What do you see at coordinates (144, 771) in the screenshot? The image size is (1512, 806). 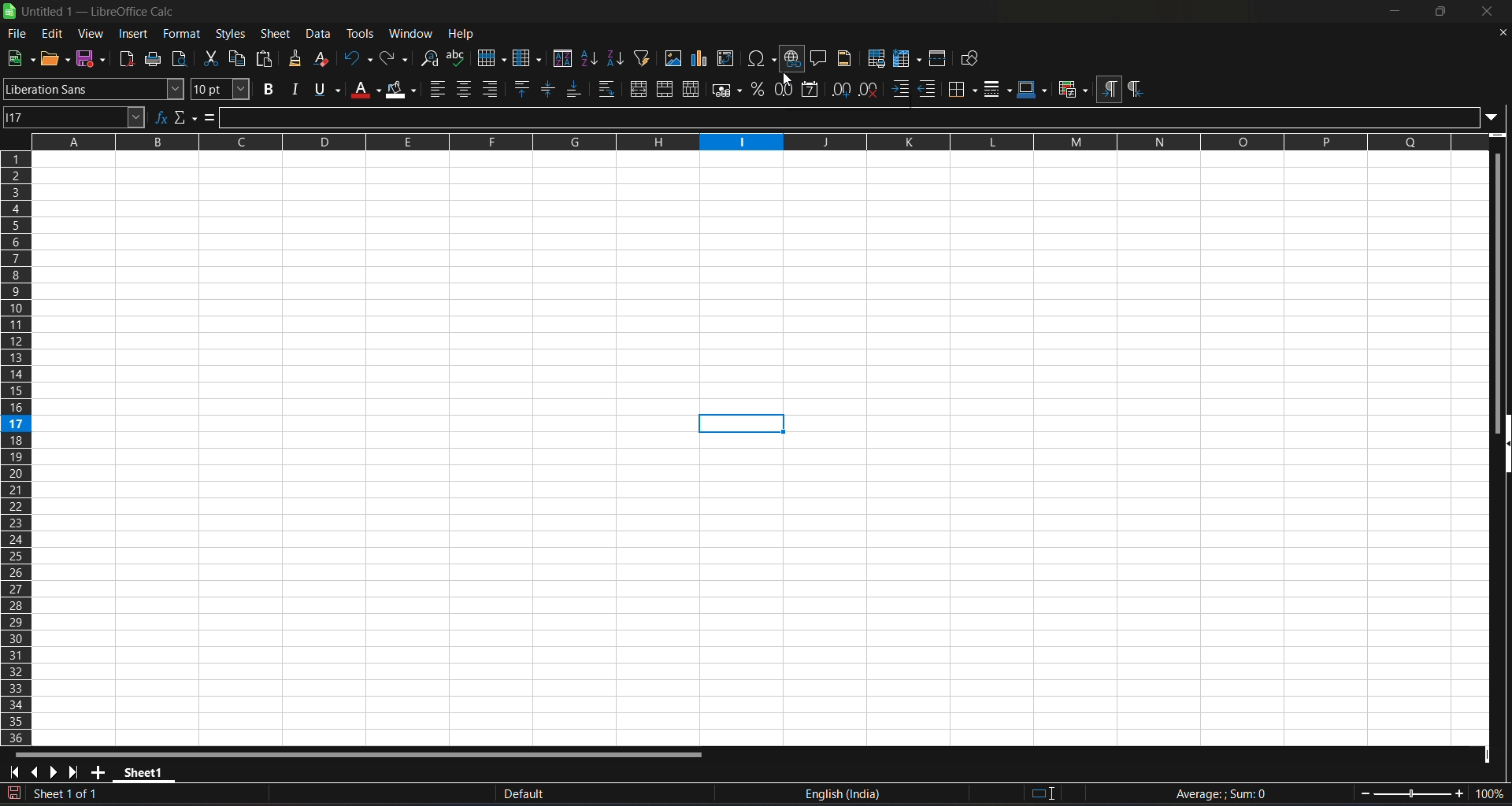 I see `sheet 1` at bounding box center [144, 771].